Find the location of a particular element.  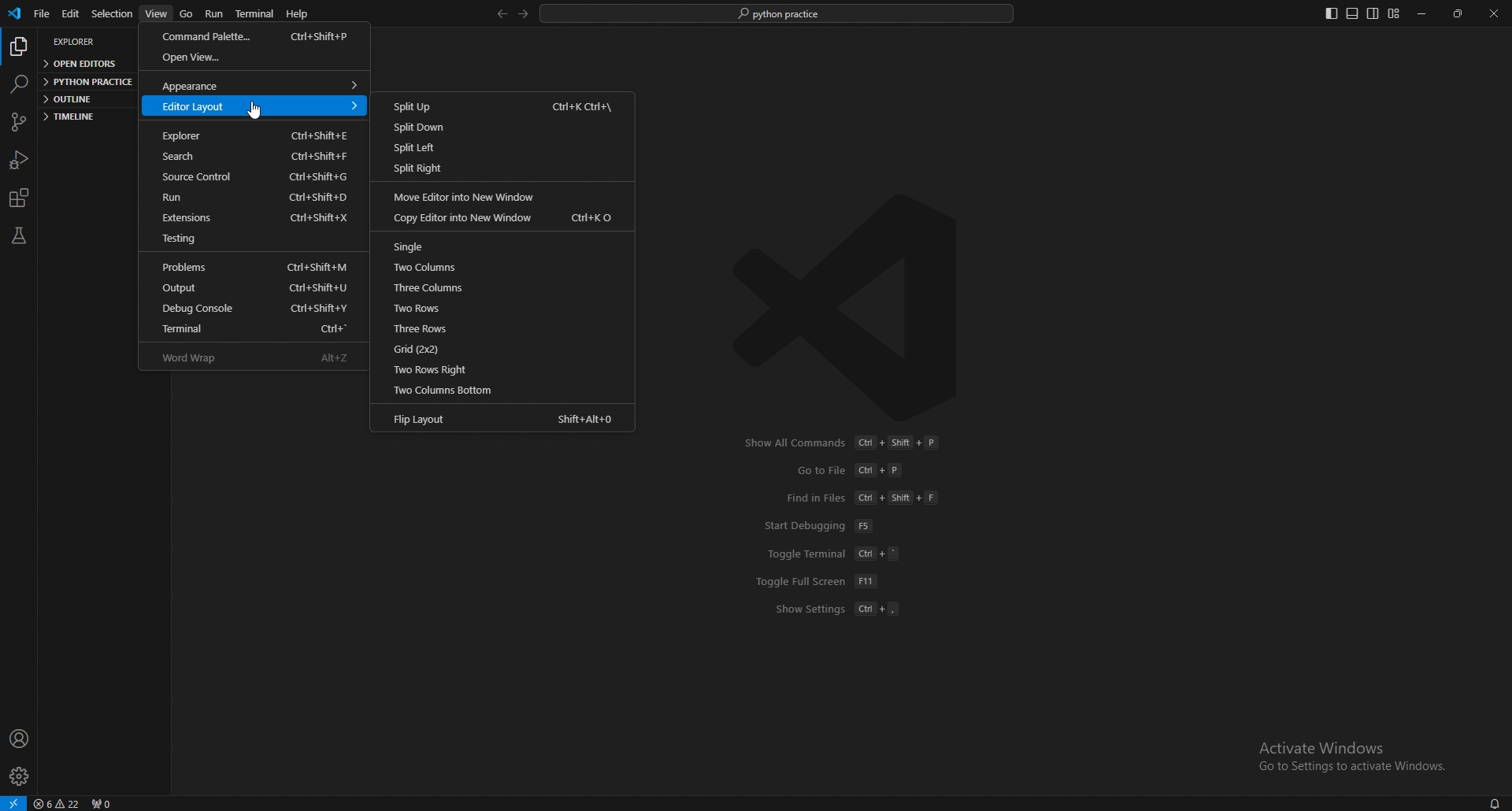

Activate Windows
Go to Settings to activate Windows. is located at coordinates (1354, 757).